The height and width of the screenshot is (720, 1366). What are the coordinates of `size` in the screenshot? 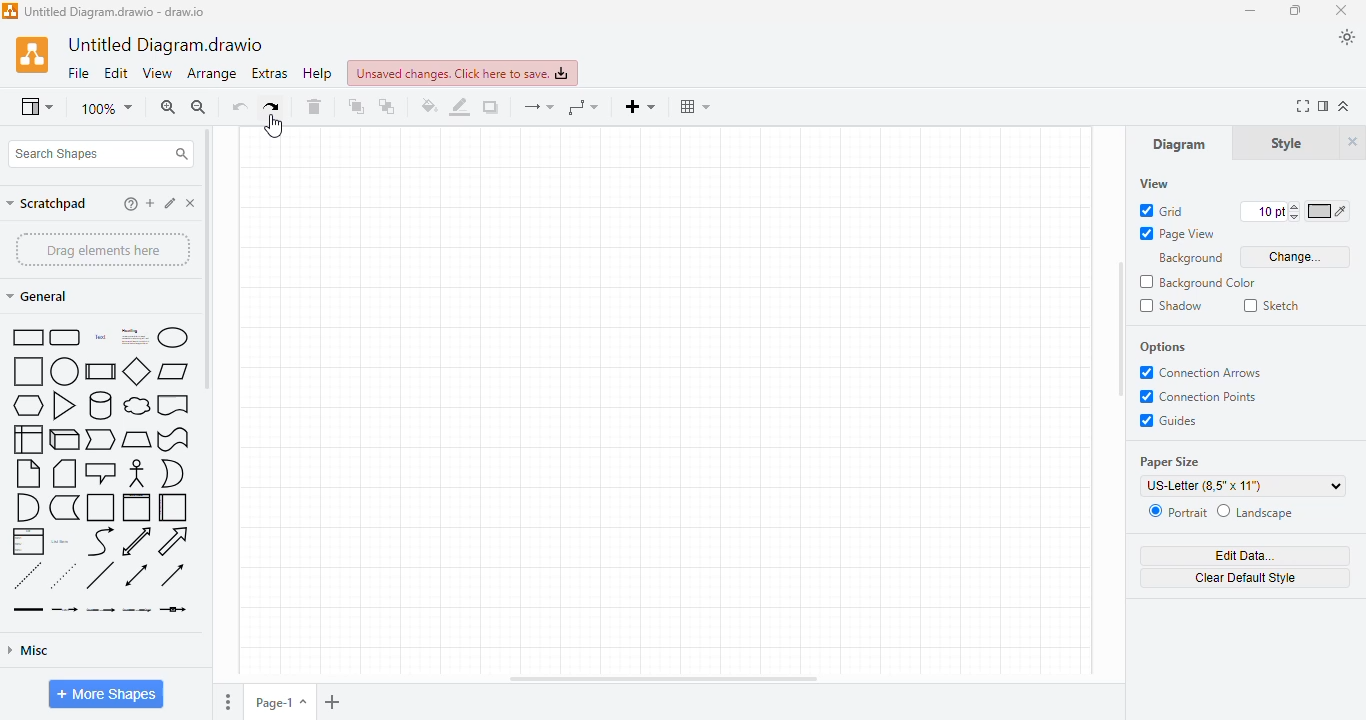 It's located at (1274, 212).